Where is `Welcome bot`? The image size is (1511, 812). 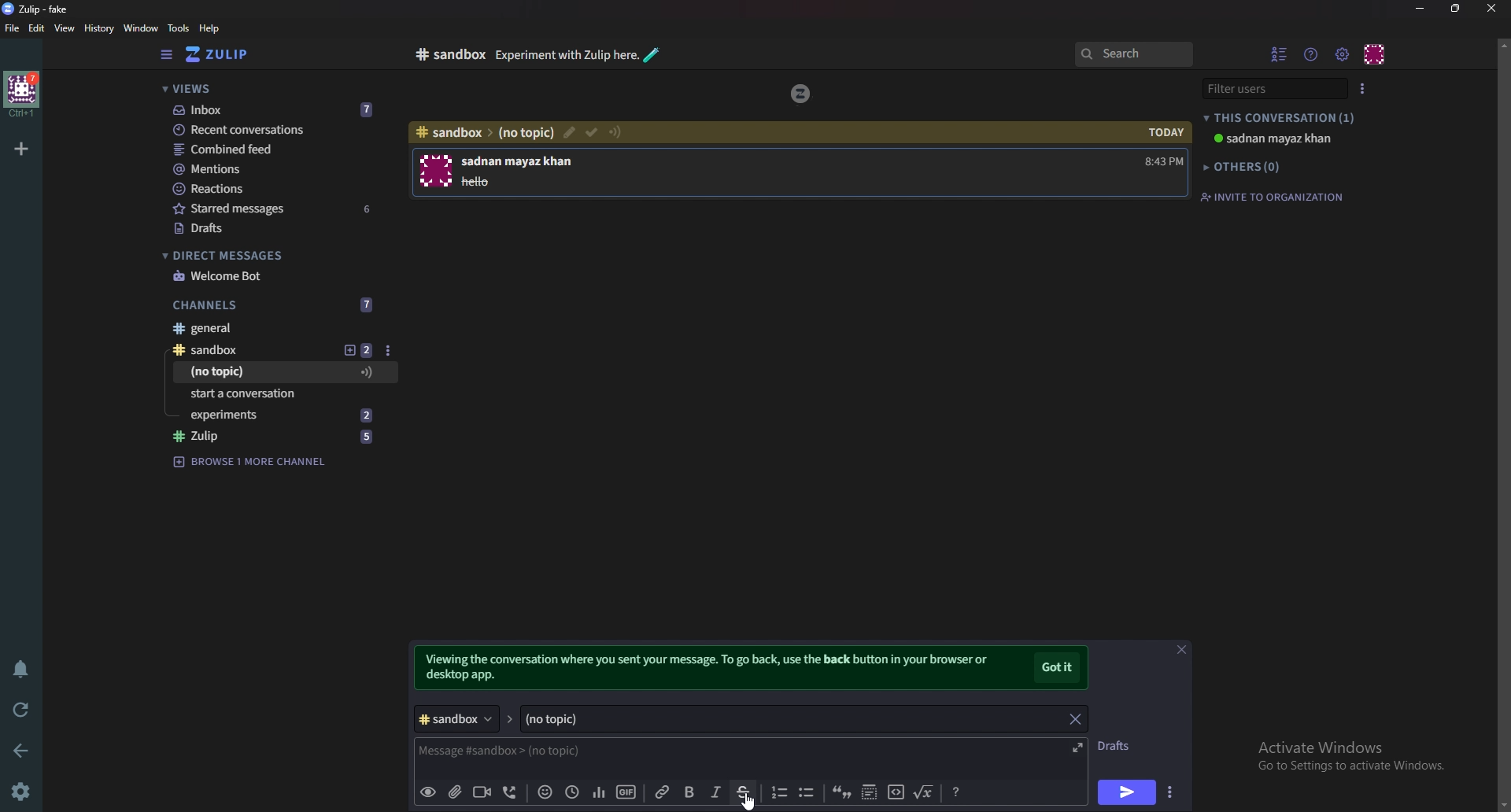 Welcome bot is located at coordinates (274, 275).